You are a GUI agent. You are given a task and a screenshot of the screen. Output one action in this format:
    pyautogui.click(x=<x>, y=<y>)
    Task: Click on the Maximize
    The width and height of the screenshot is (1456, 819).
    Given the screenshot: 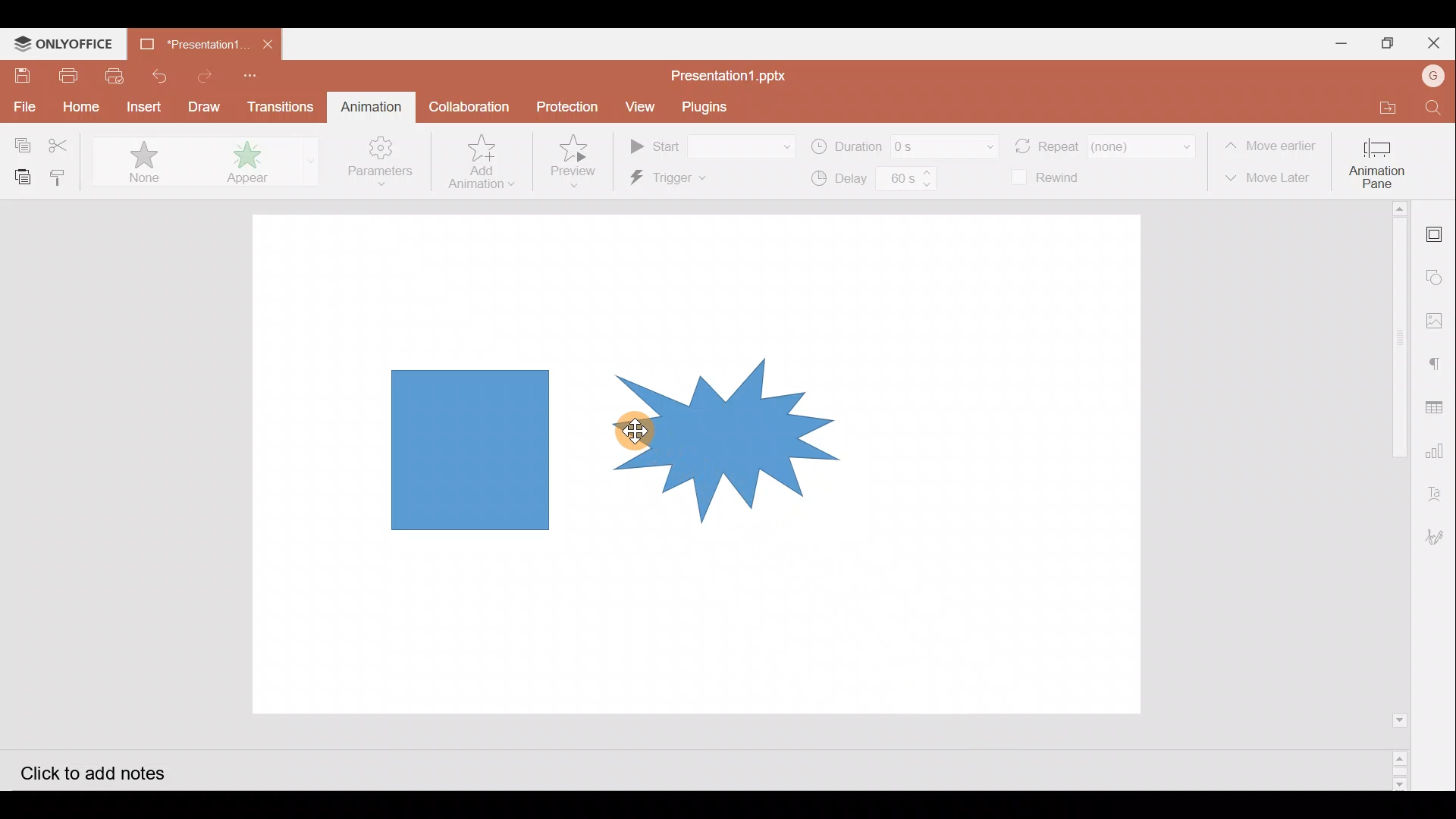 What is the action you would take?
    pyautogui.click(x=1387, y=42)
    